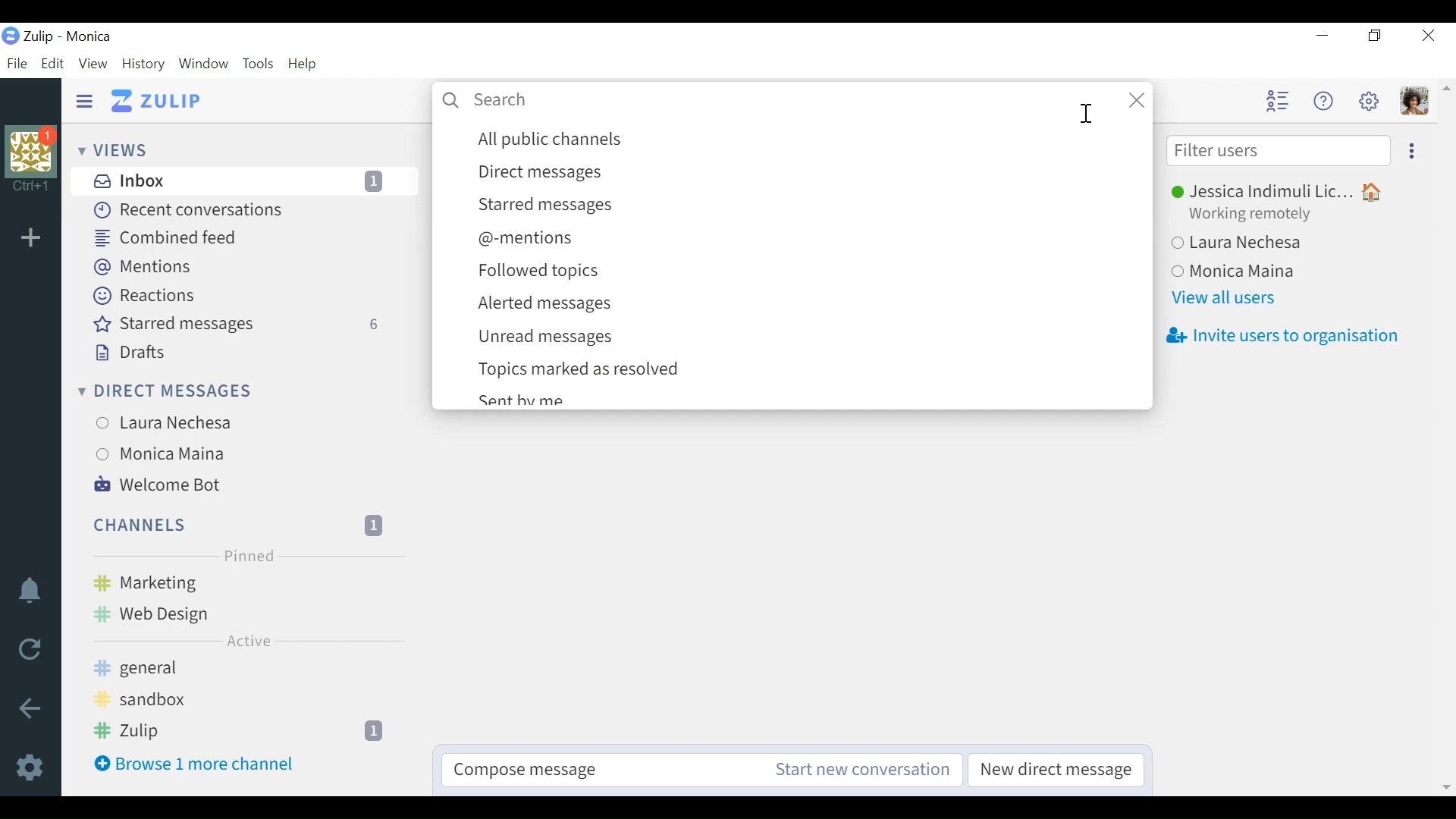  I want to click on Followed topics, so click(805, 272).